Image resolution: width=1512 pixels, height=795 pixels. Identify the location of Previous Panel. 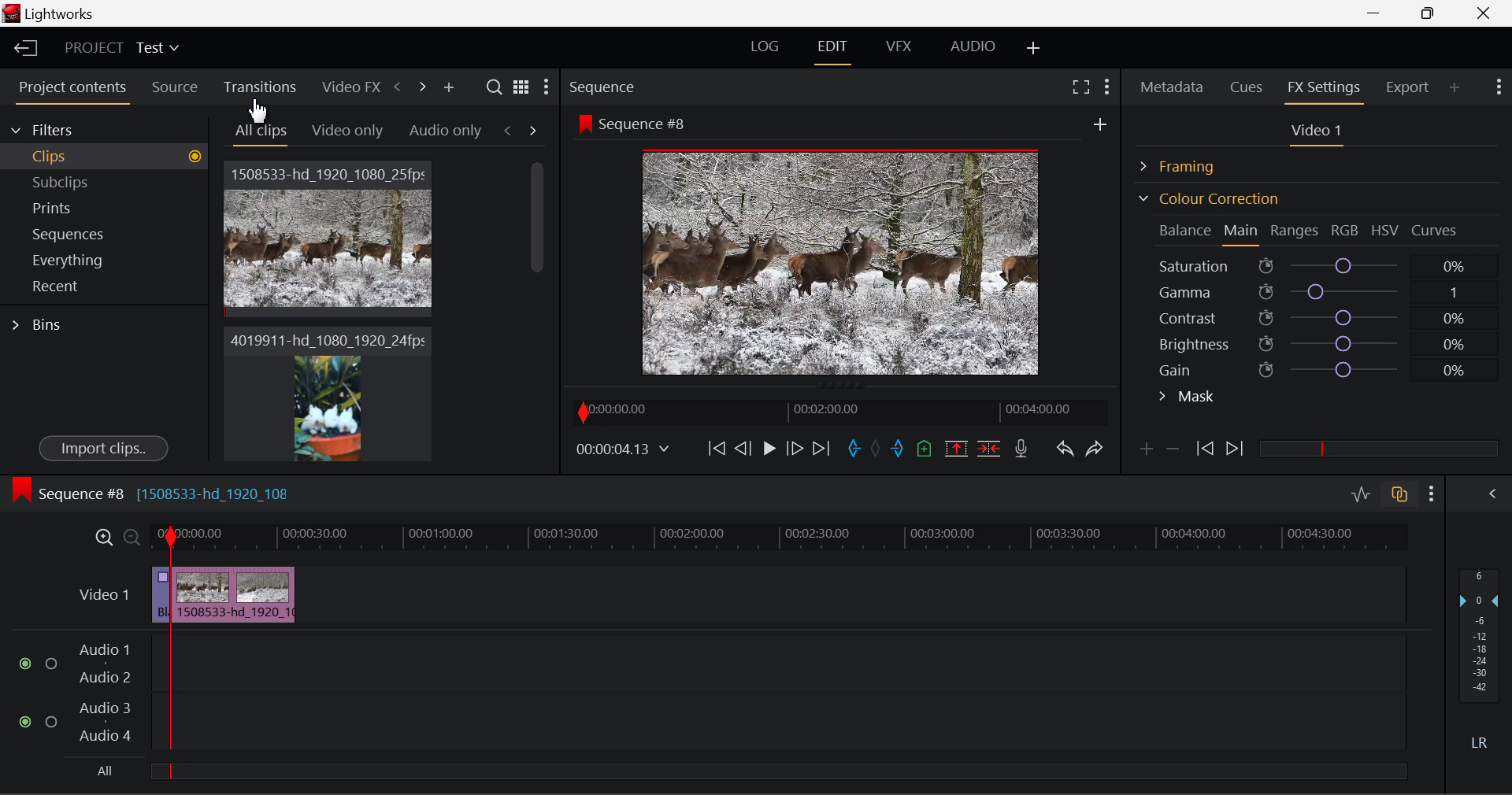
(397, 87).